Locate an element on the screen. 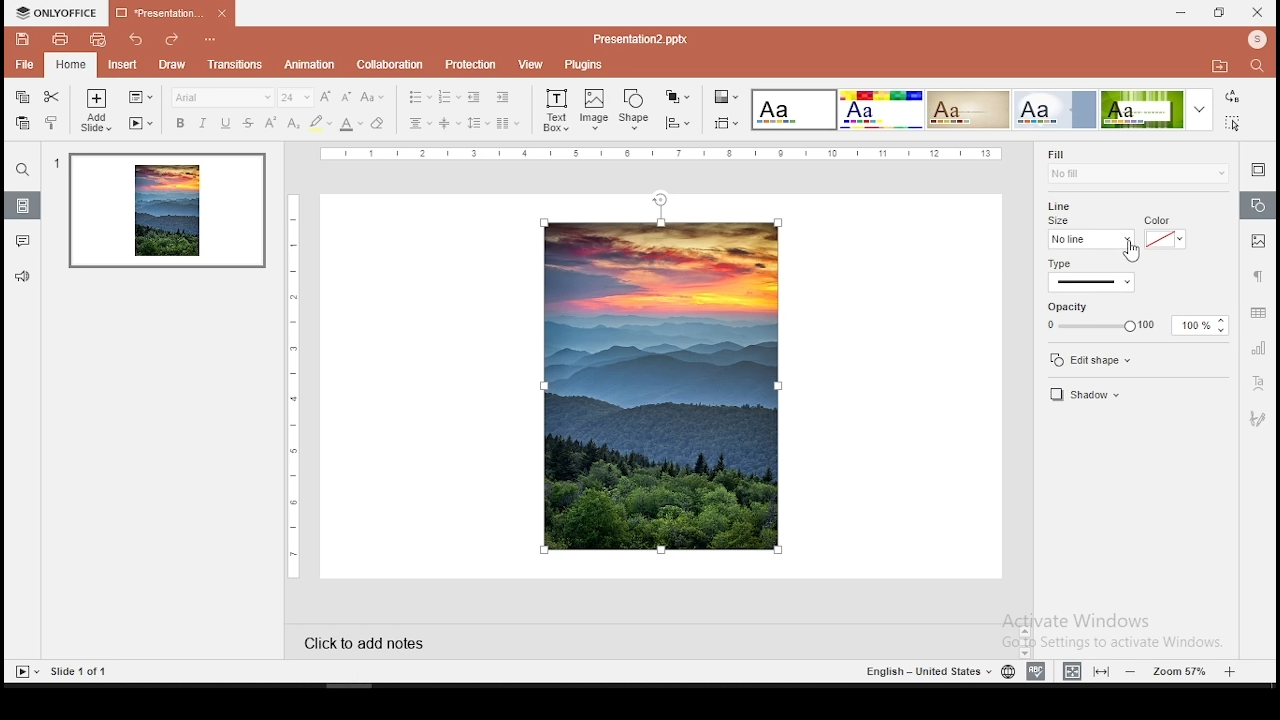 The height and width of the screenshot is (720, 1280). columns is located at coordinates (508, 123).